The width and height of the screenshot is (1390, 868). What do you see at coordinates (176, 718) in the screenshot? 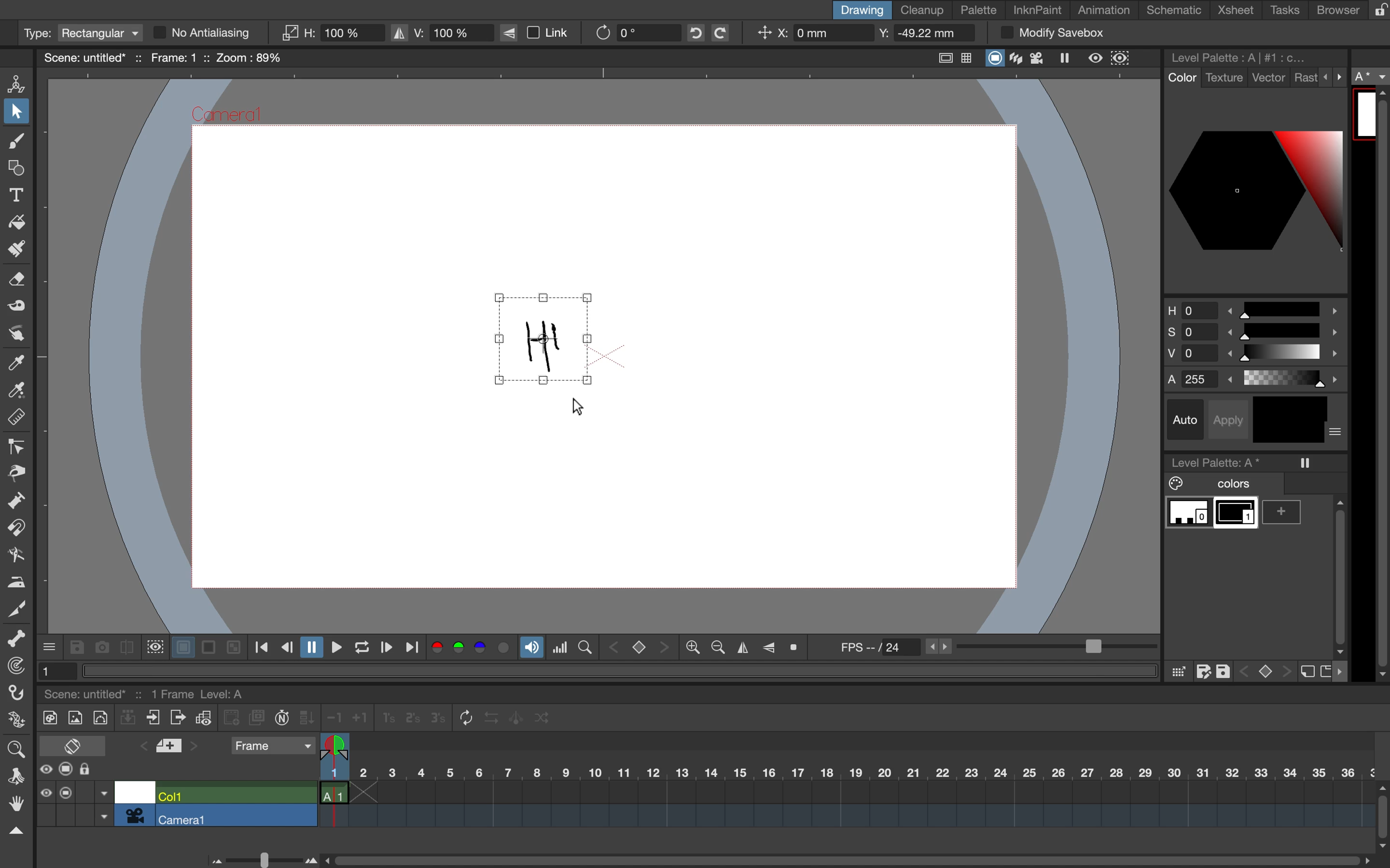
I see `open x subsheet` at bounding box center [176, 718].